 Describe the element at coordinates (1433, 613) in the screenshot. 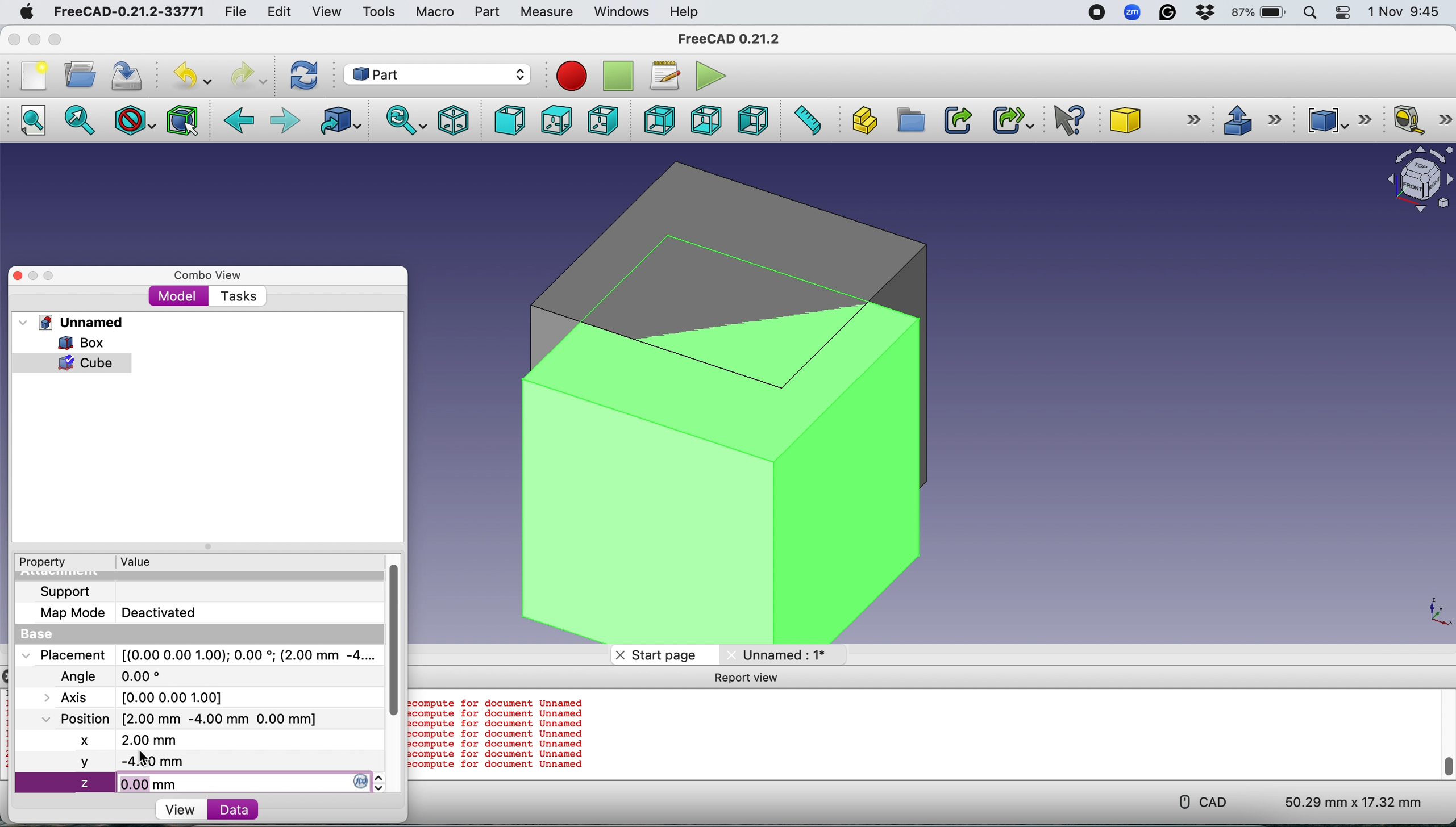

I see `x-y plane` at that location.